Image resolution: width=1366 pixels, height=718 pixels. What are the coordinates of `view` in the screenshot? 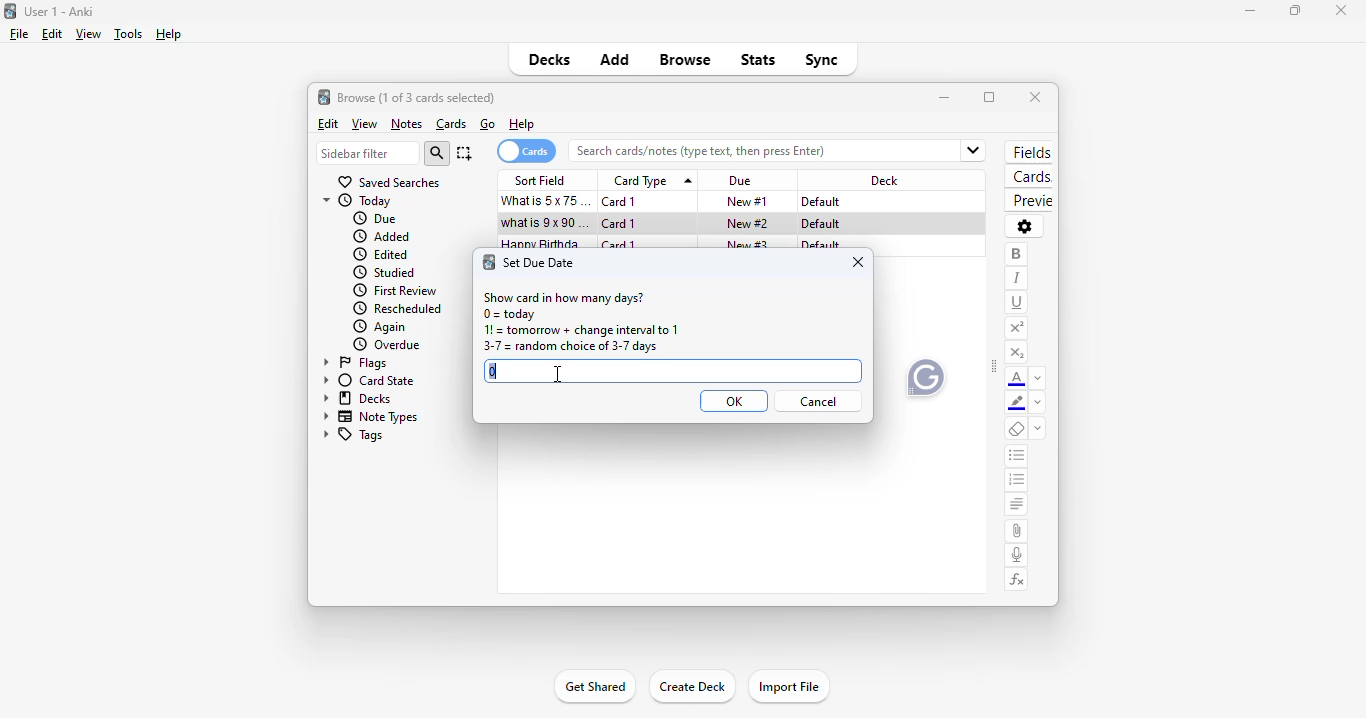 It's located at (365, 125).